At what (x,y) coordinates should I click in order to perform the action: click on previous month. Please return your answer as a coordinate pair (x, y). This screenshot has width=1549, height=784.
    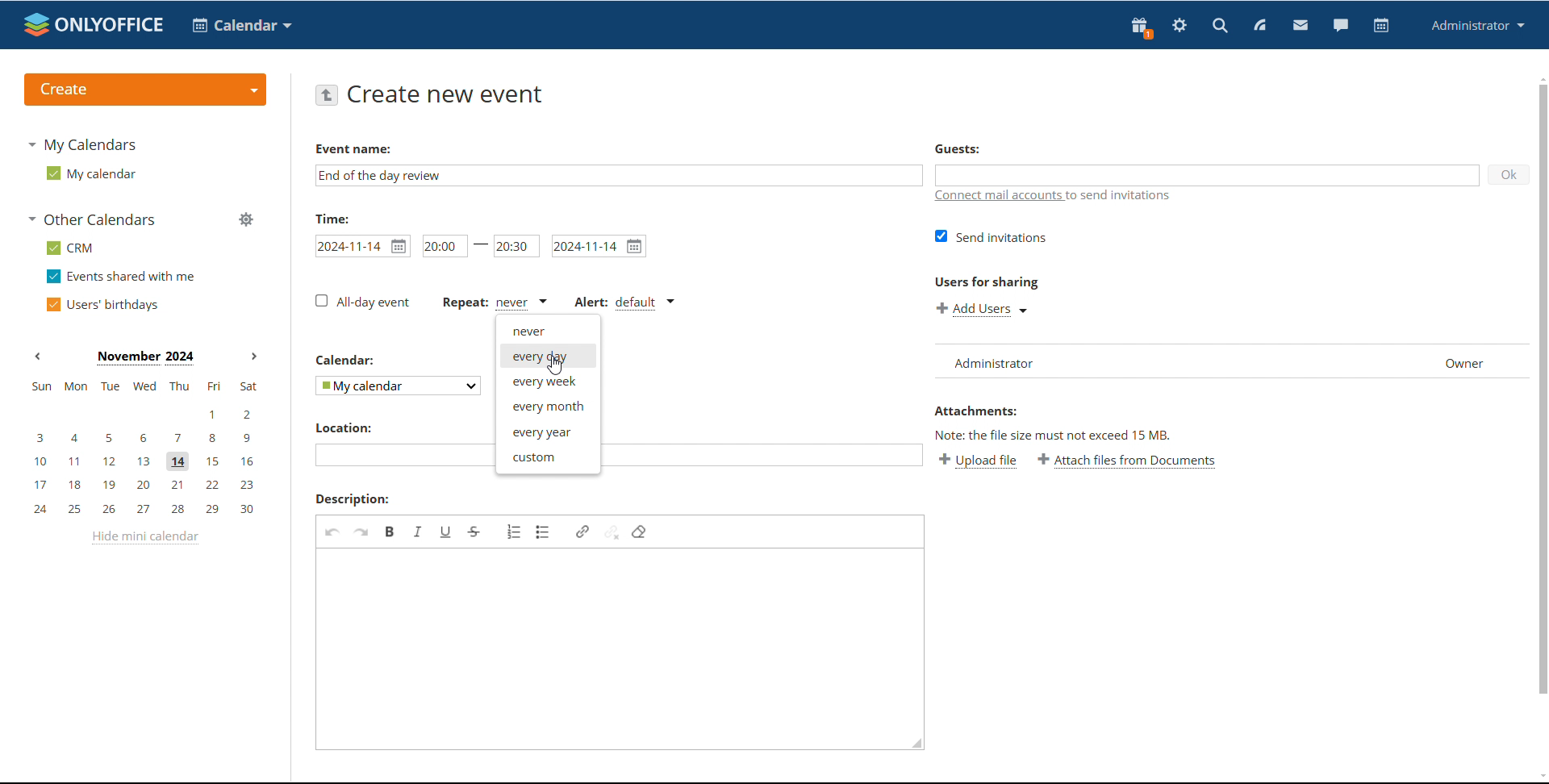
    Looking at the image, I should click on (37, 355).